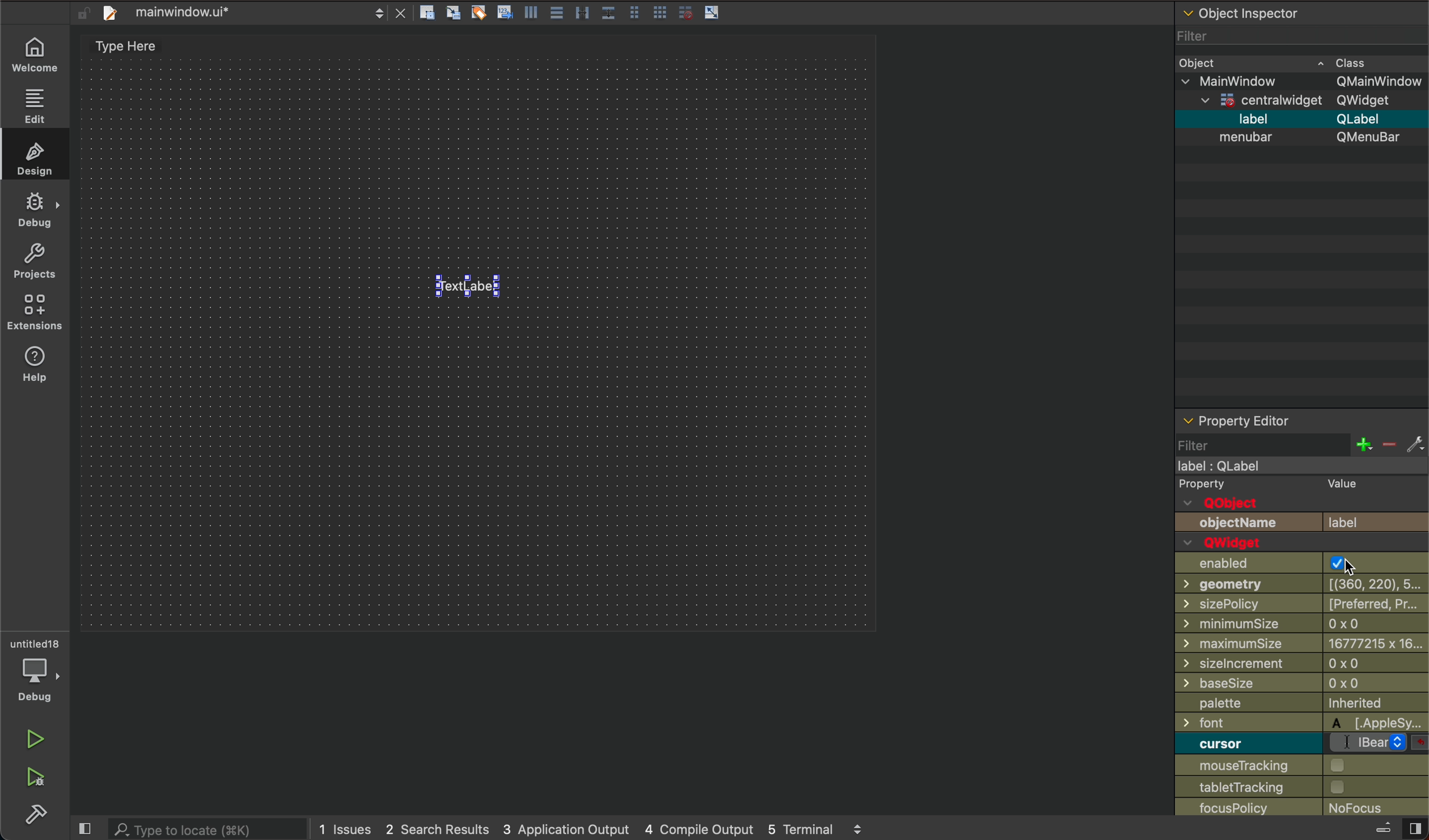 This screenshot has height=840, width=1429. I want to click on label, so click(1255, 118).